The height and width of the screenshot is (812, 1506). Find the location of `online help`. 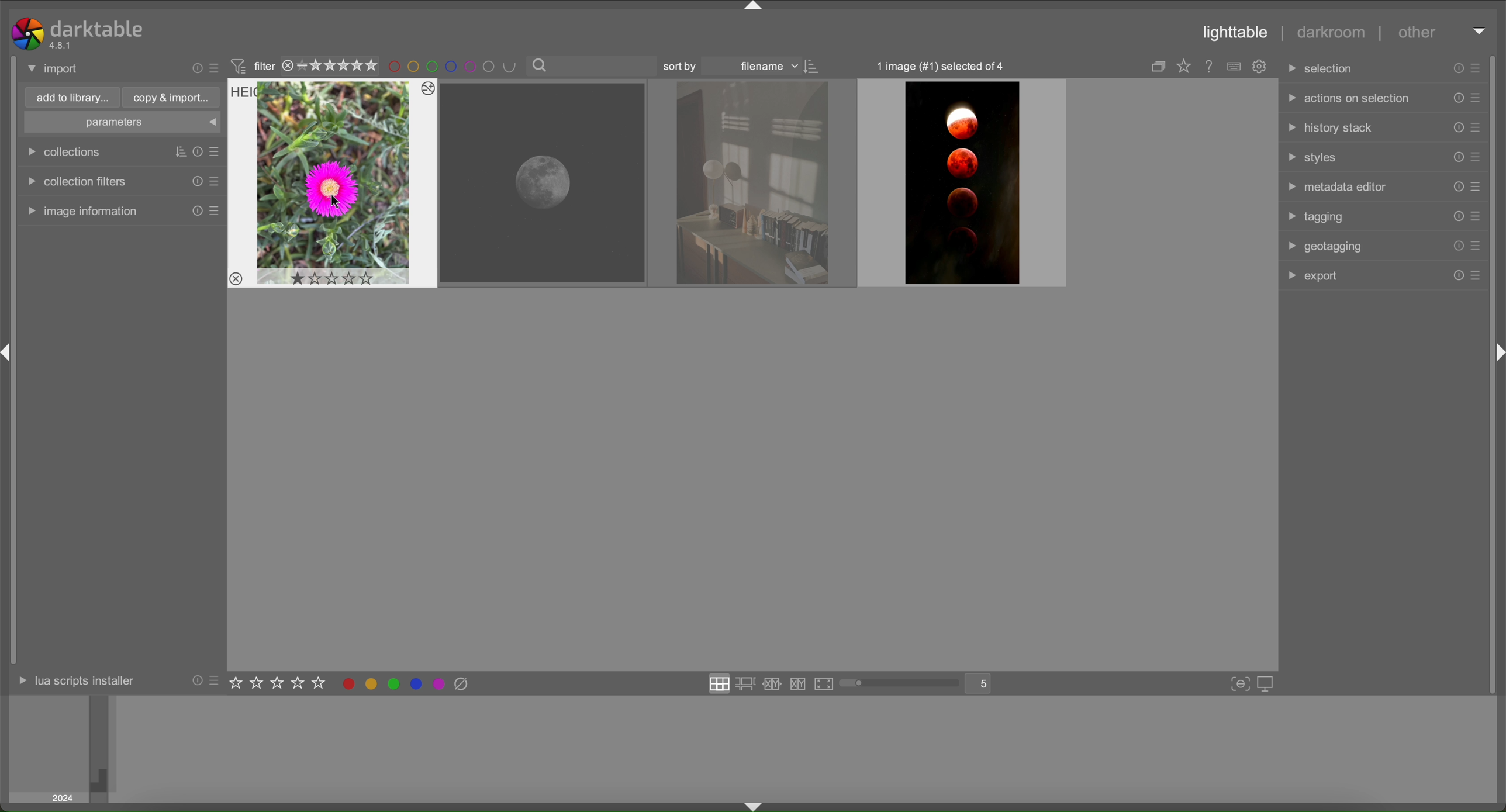

online help is located at coordinates (1210, 65).